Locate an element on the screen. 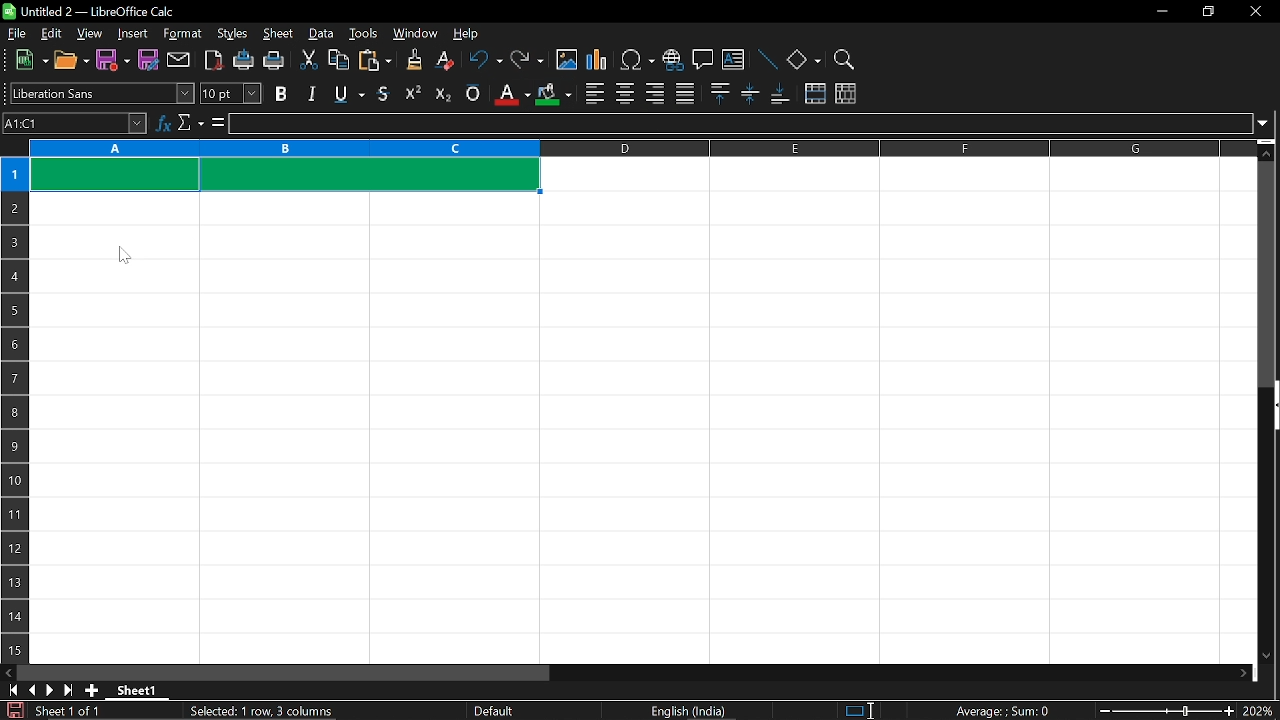 The height and width of the screenshot is (720, 1280). align bottom is located at coordinates (779, 95).